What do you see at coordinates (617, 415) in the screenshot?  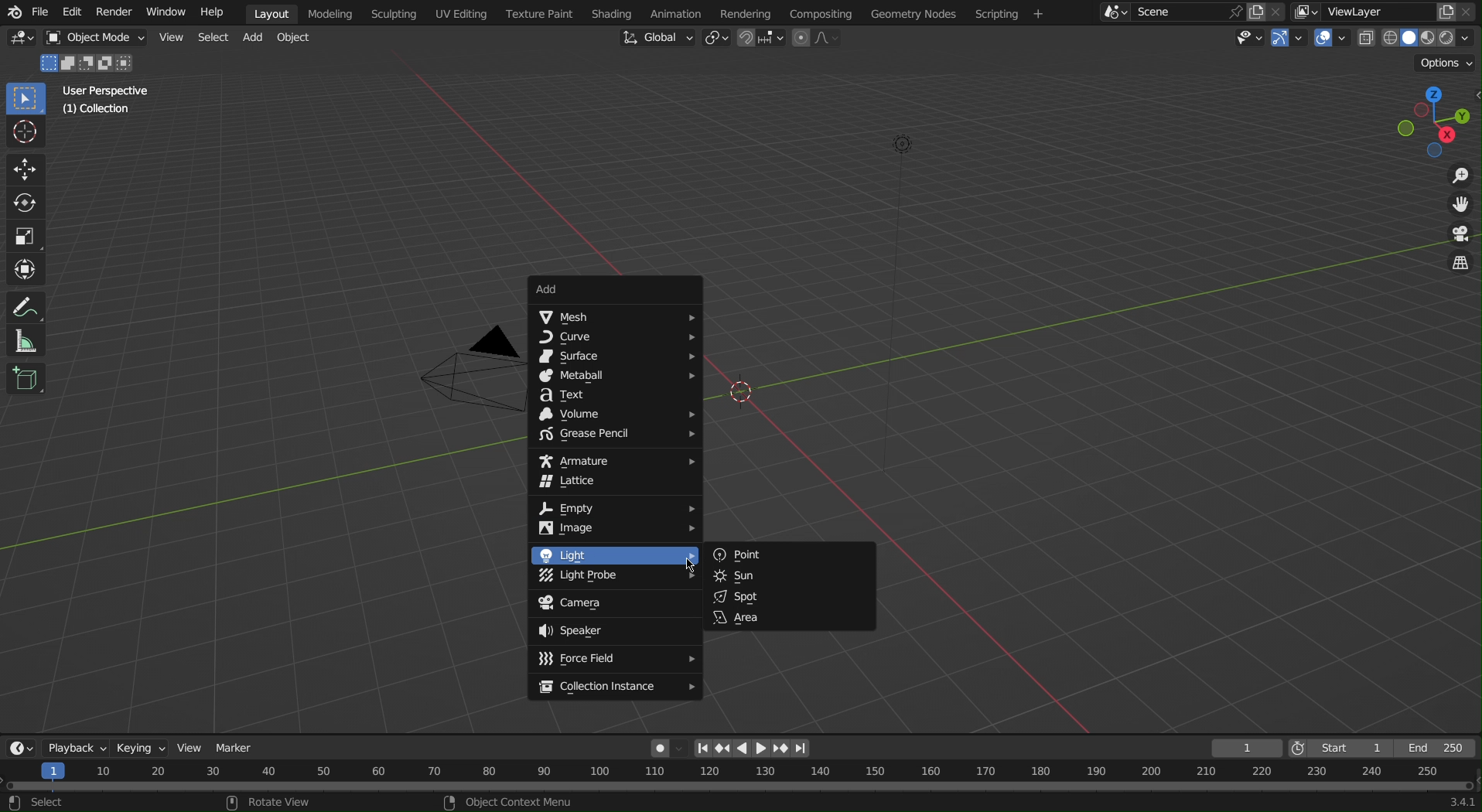 I see `Volume` at bounding box center [617, 415].